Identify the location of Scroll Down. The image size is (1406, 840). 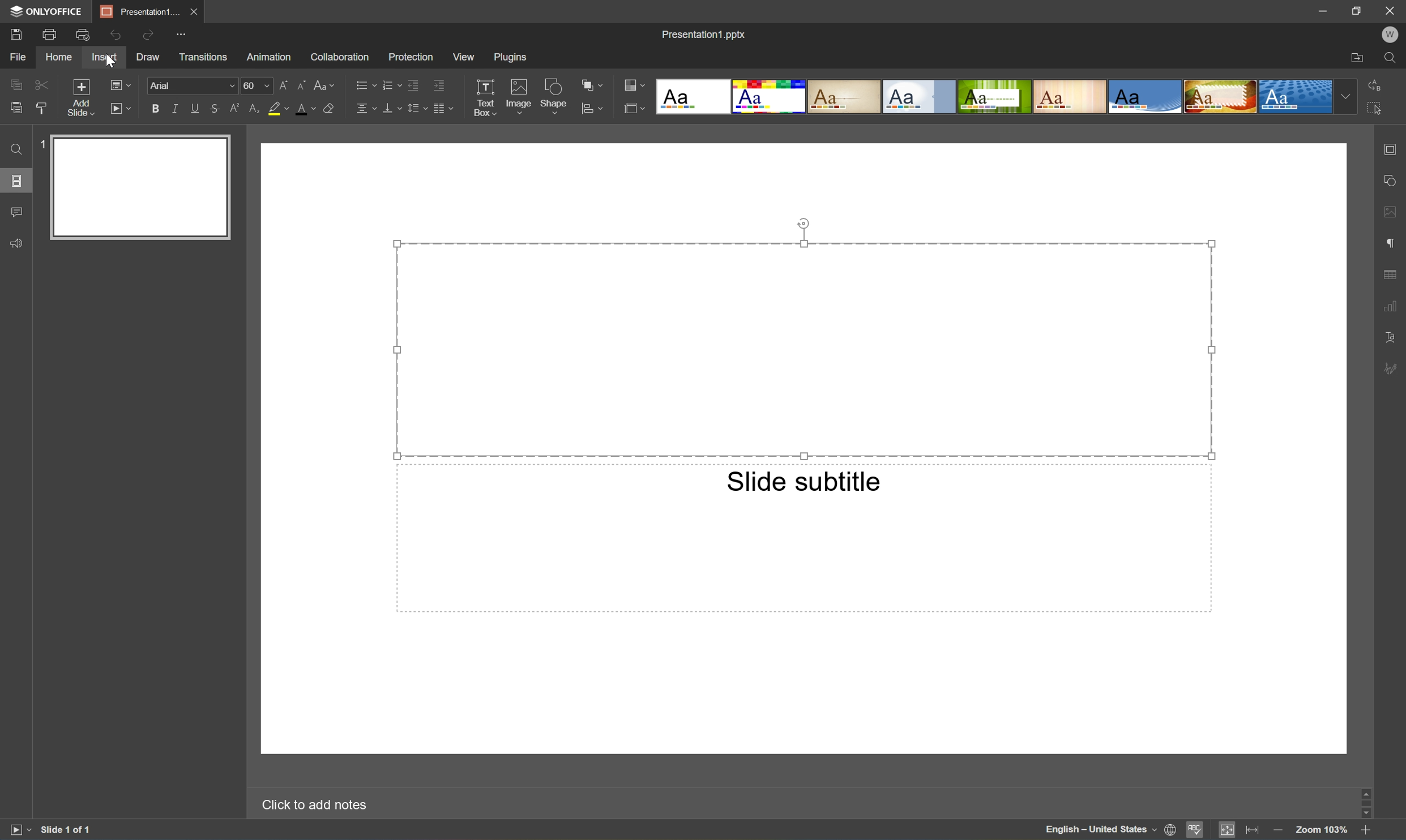
(1363, 816).